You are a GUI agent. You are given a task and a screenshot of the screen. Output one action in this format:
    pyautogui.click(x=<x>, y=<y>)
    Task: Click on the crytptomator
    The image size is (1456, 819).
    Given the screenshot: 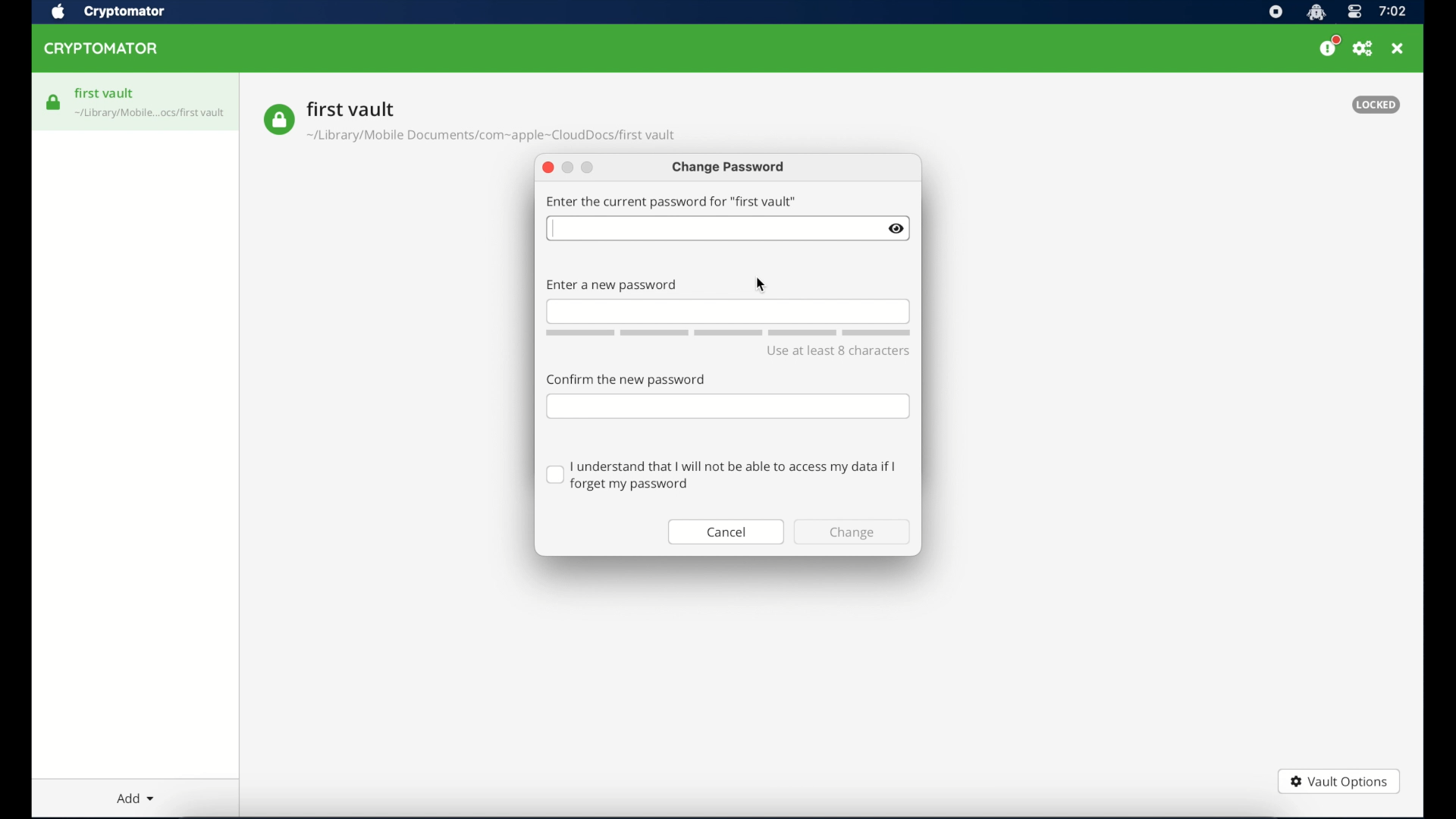 What is the action you would take?
    pyautogui.click(x=124, y=13)
    